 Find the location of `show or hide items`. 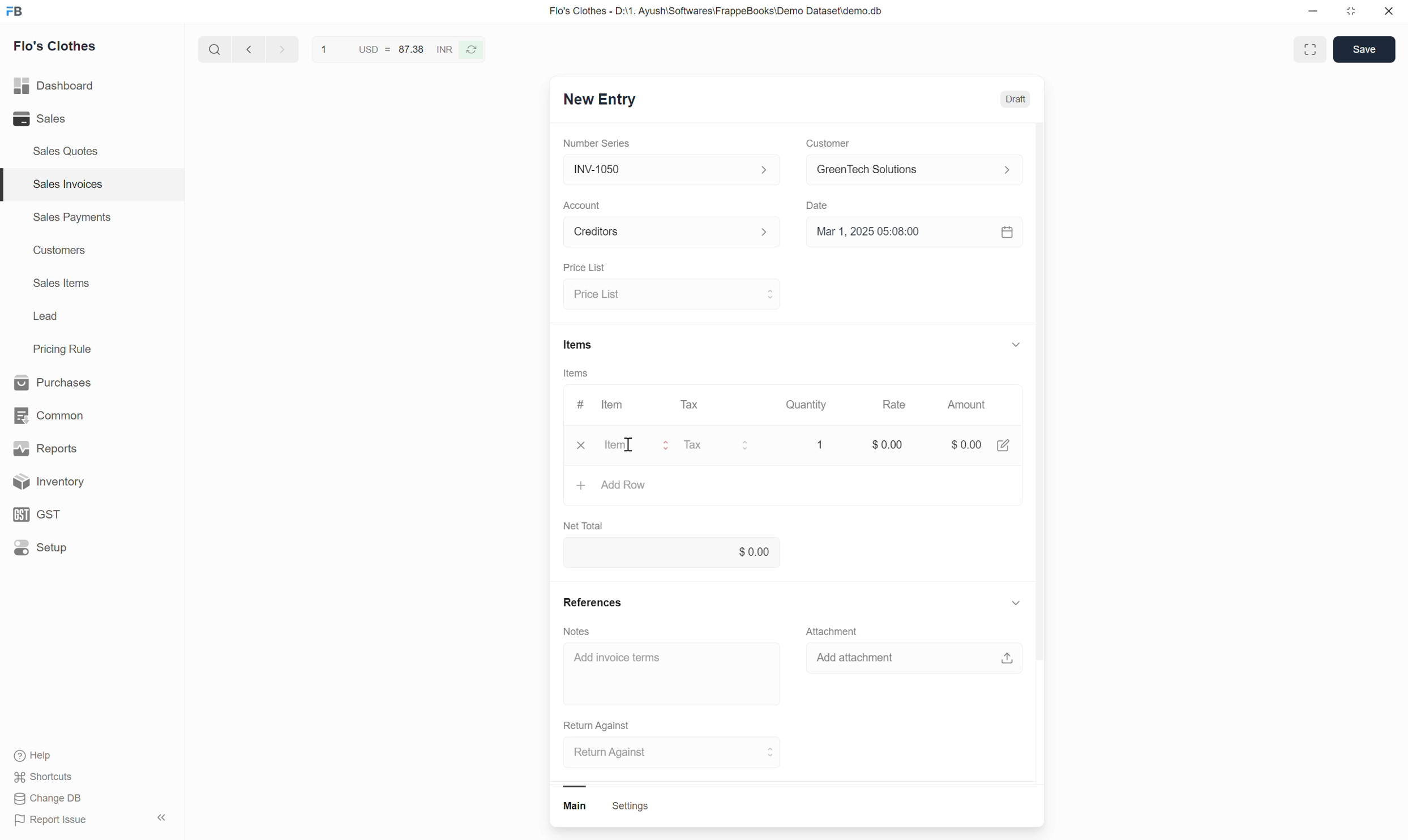

show or hide items is located at coordinates (1016, 342).